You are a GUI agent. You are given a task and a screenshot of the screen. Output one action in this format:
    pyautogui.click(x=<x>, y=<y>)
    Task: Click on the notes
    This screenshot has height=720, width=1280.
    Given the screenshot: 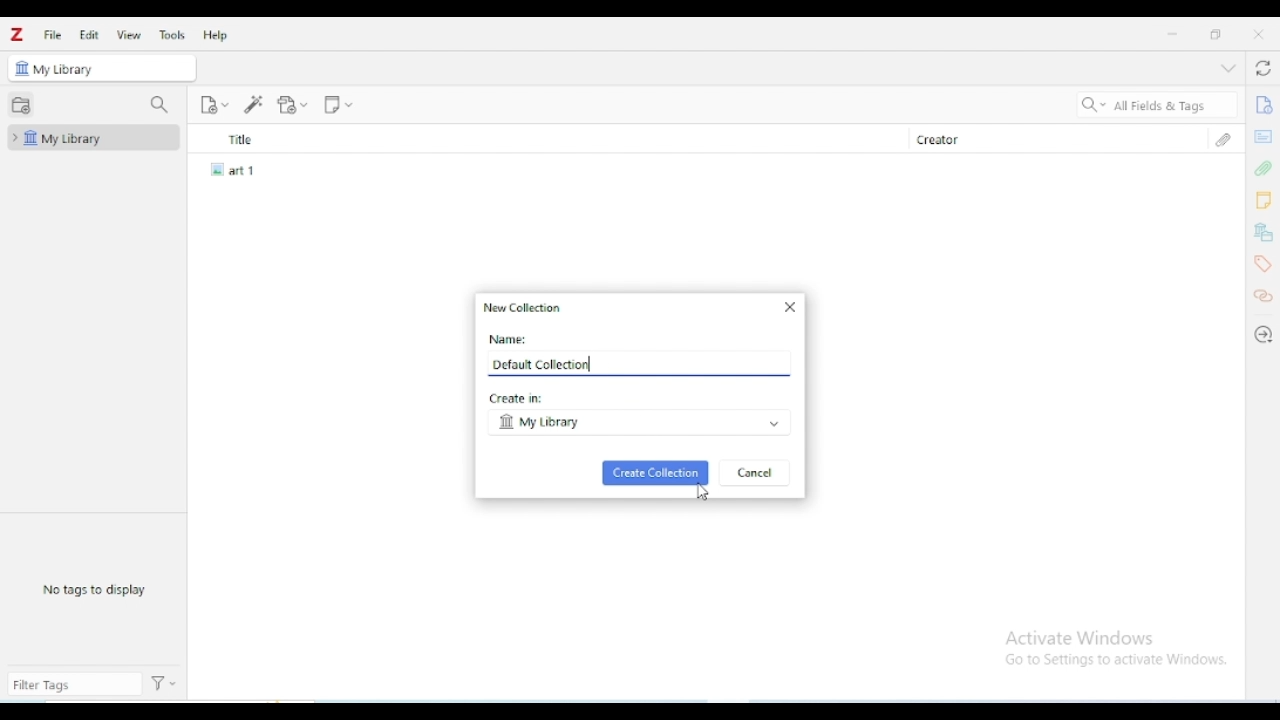 What is the action you would take?
    pyautogui.click(x=1263, y=201)
    